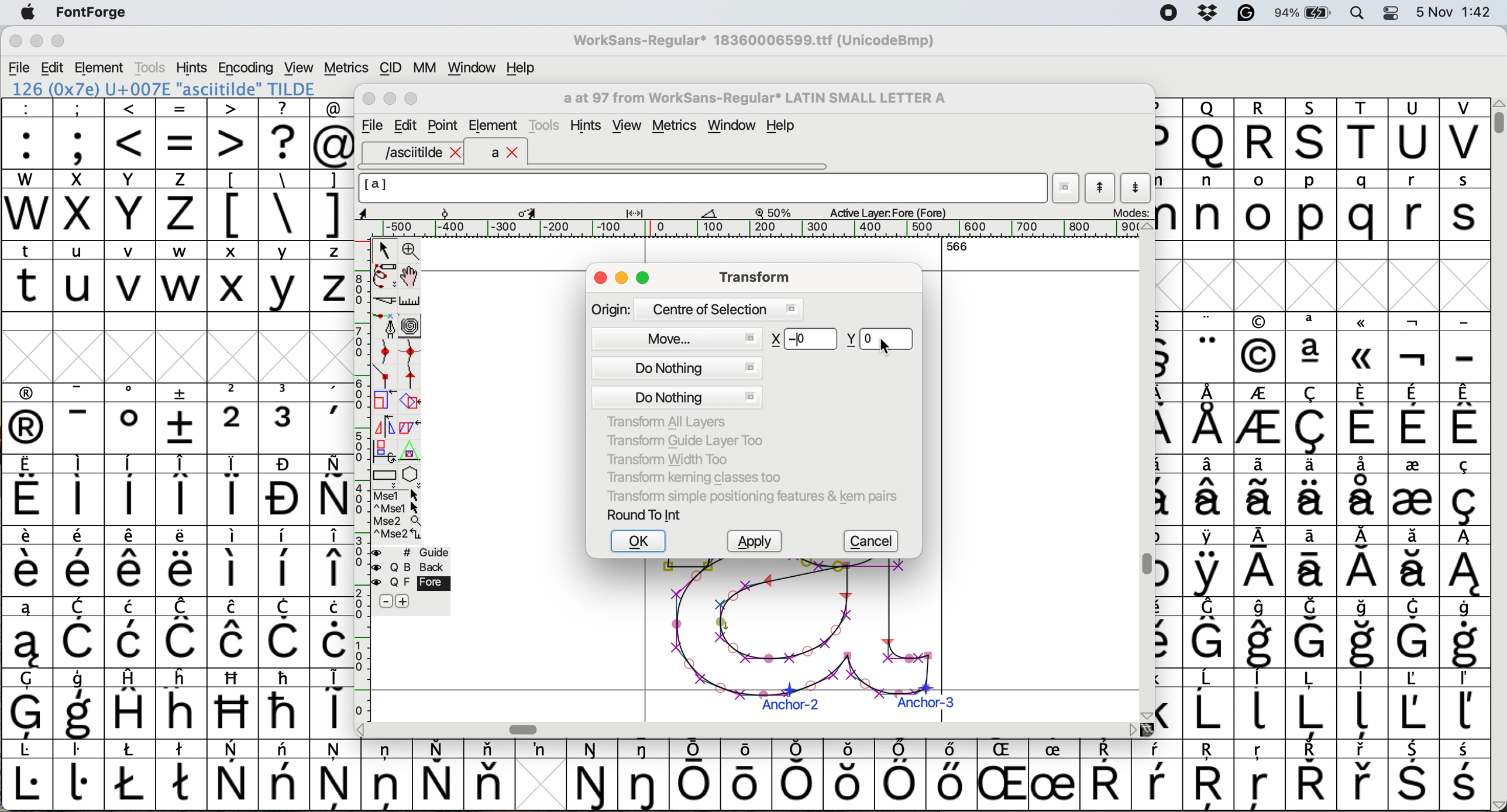 Image resolution: width=1507 pixels, height=812 pixels. What do you see at coordinates (1147, 227) in the screenshot?
I see `scroll button` at bounding box center [1147, 227].